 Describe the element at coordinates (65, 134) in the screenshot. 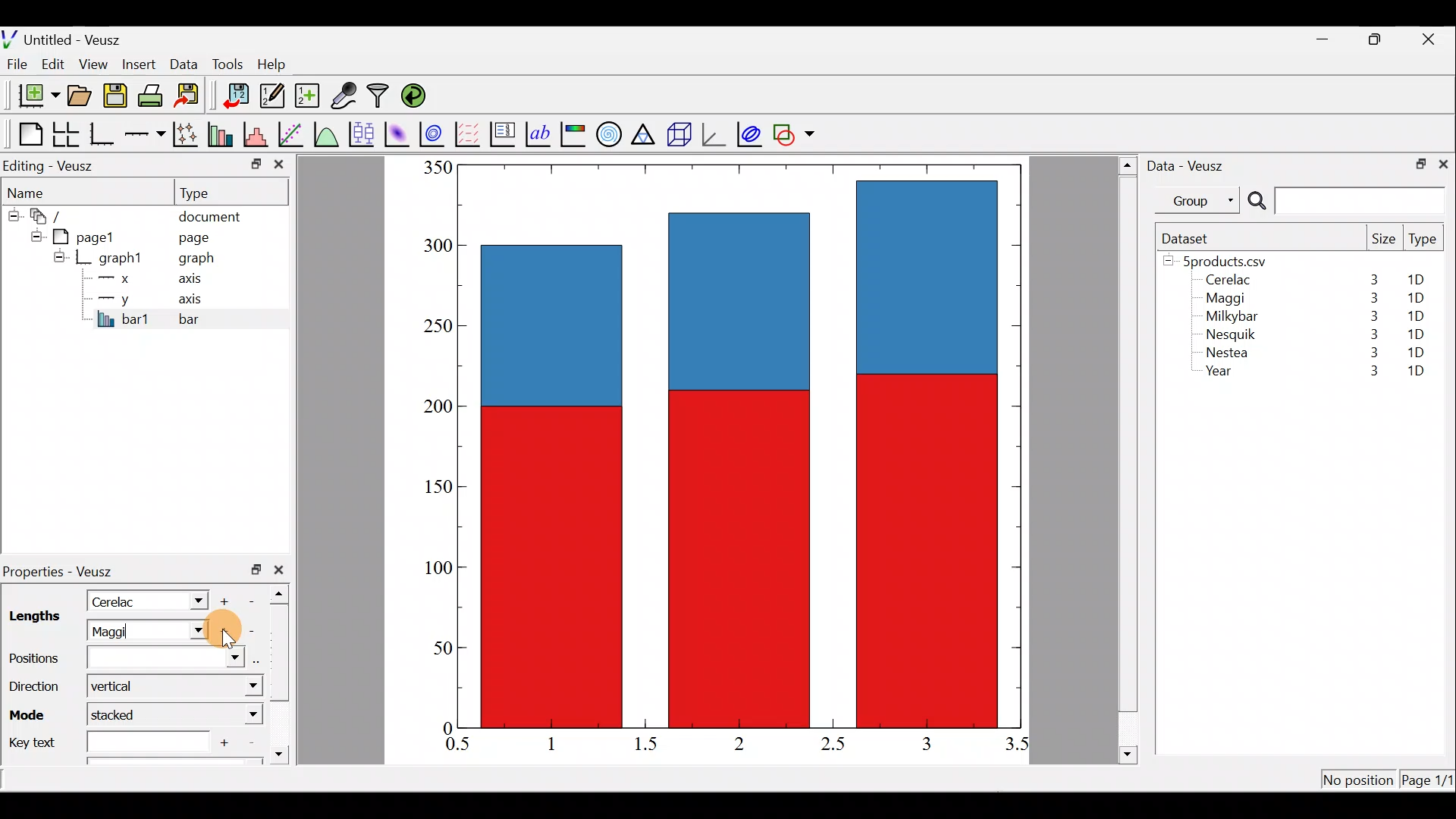

I see `Arrange graphs in a grid` at that location.